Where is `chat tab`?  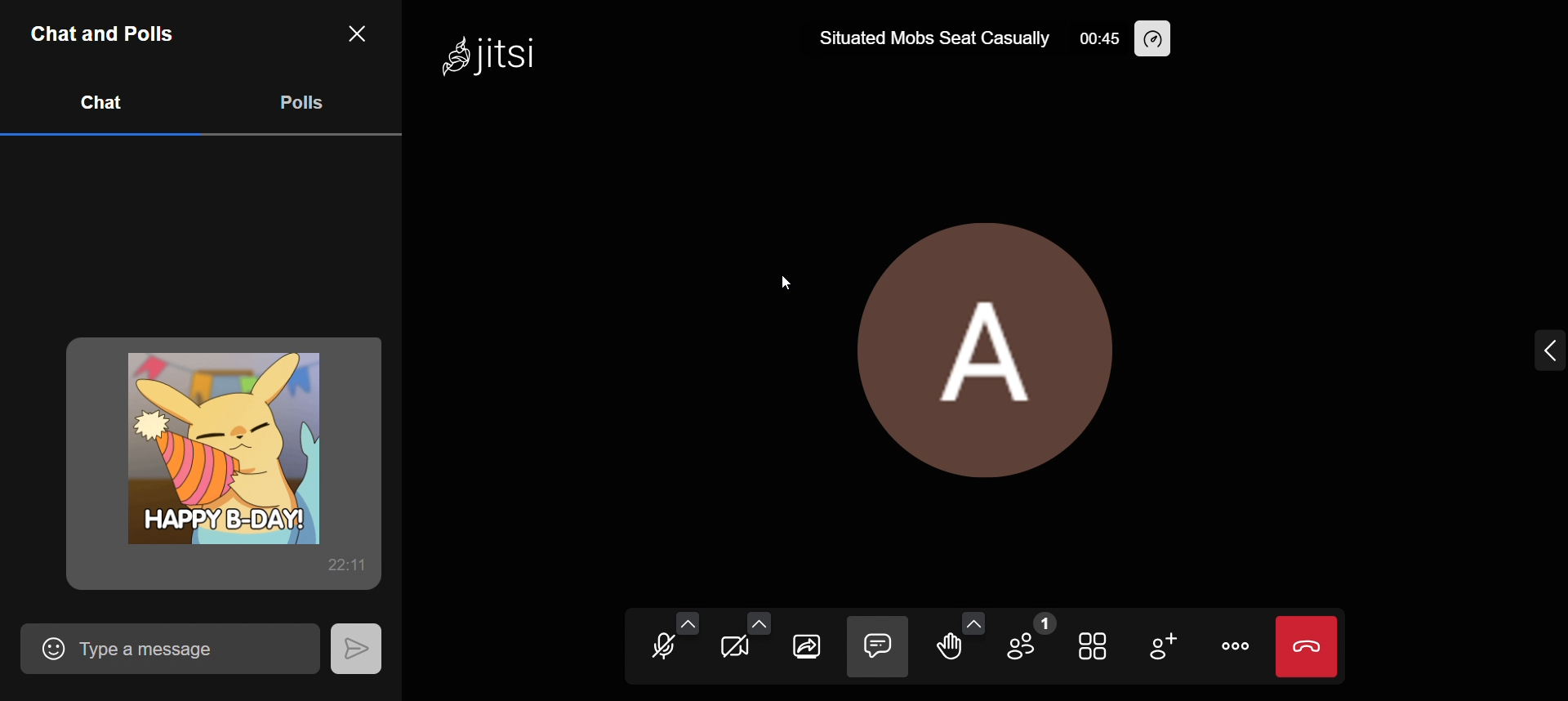
chat tab is located at coordinates (101, 101).